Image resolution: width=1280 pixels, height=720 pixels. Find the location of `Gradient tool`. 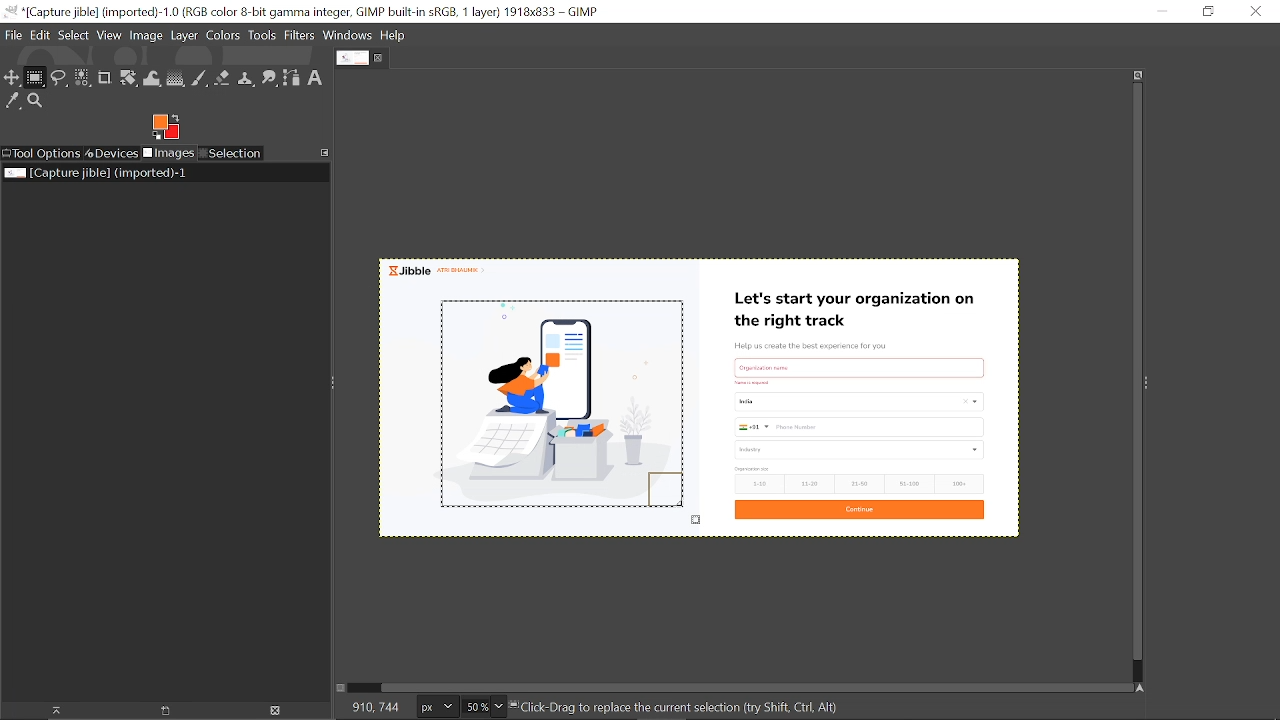

Gradient tool is located at coordinates (176, 79).